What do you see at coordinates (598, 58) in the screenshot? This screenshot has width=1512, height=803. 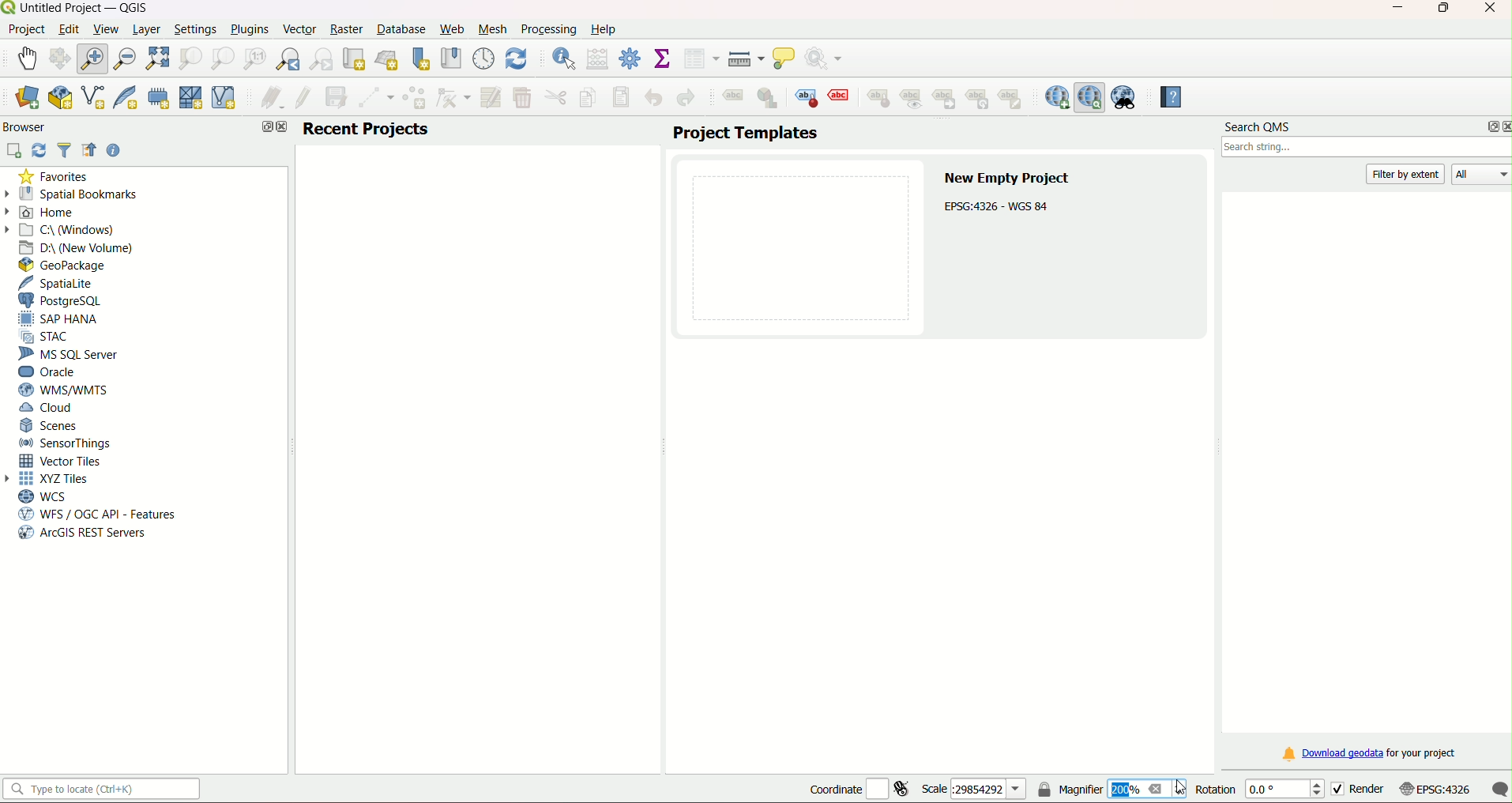 I see `open field calculator` at bounding box center [598, 58].